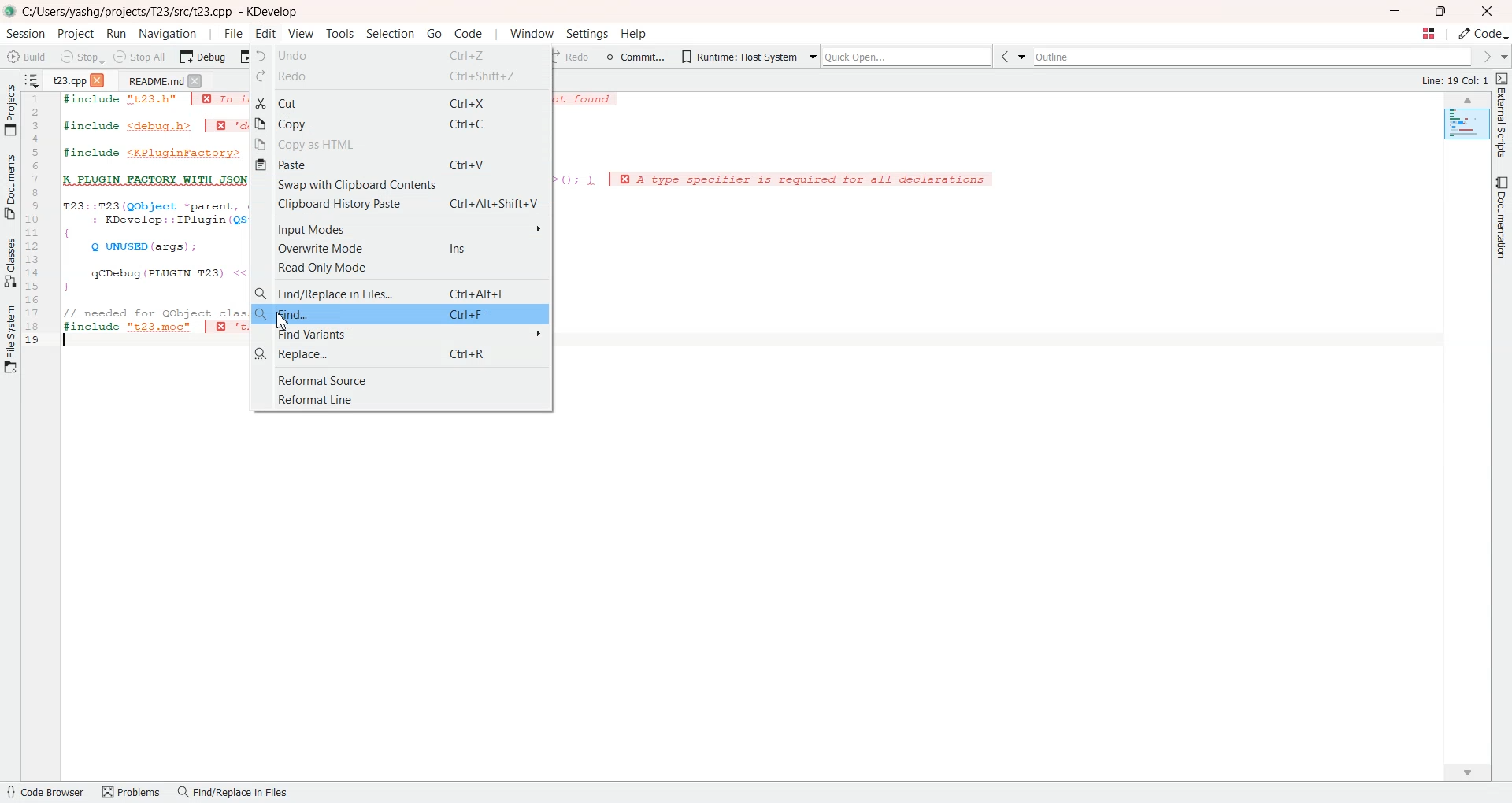  What do you see at coordinates (1007, 57) in the screenshot?
I see `Go back` at bounding box center [1007, 57].